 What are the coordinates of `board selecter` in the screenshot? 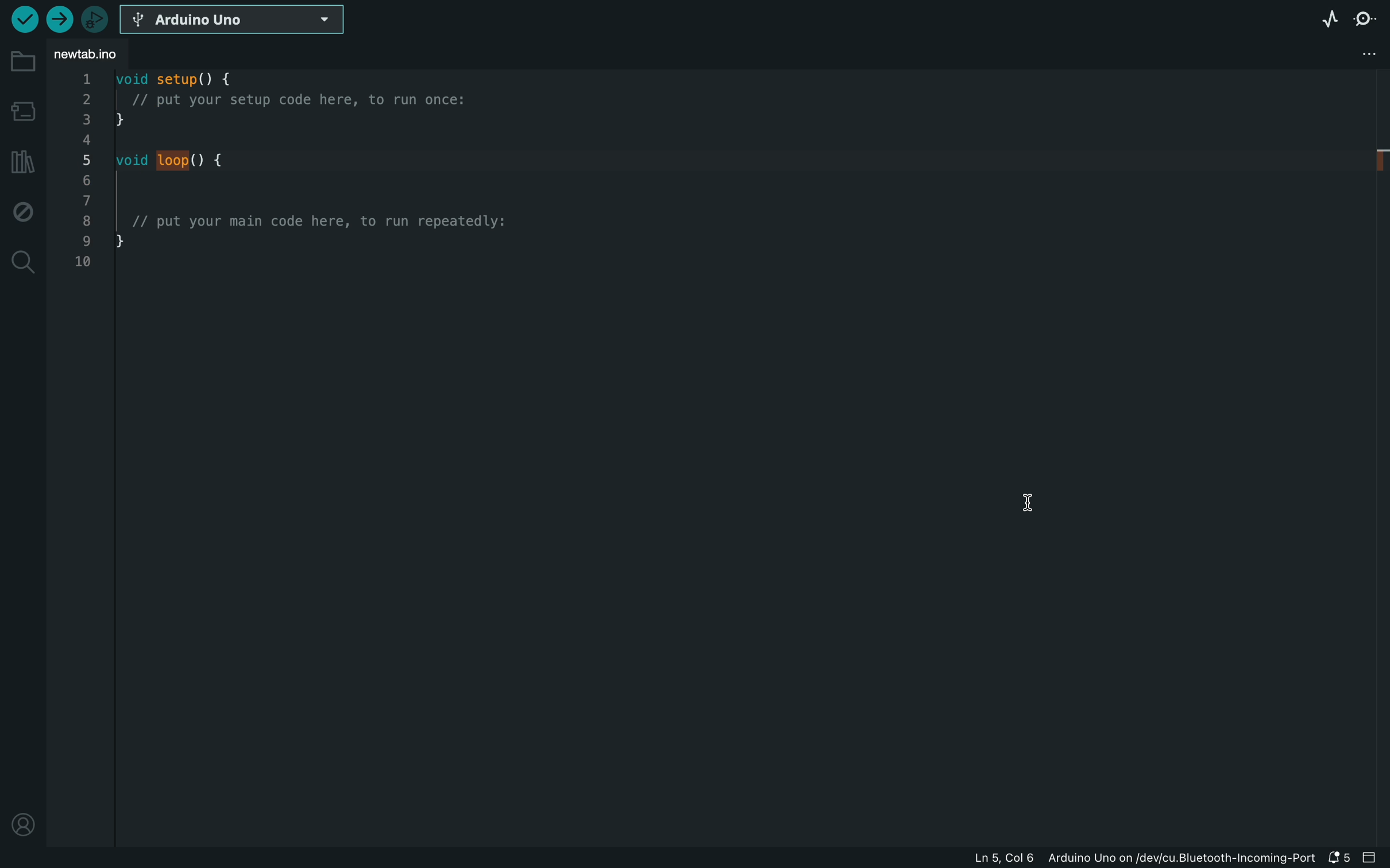 It's located at (235, 20).